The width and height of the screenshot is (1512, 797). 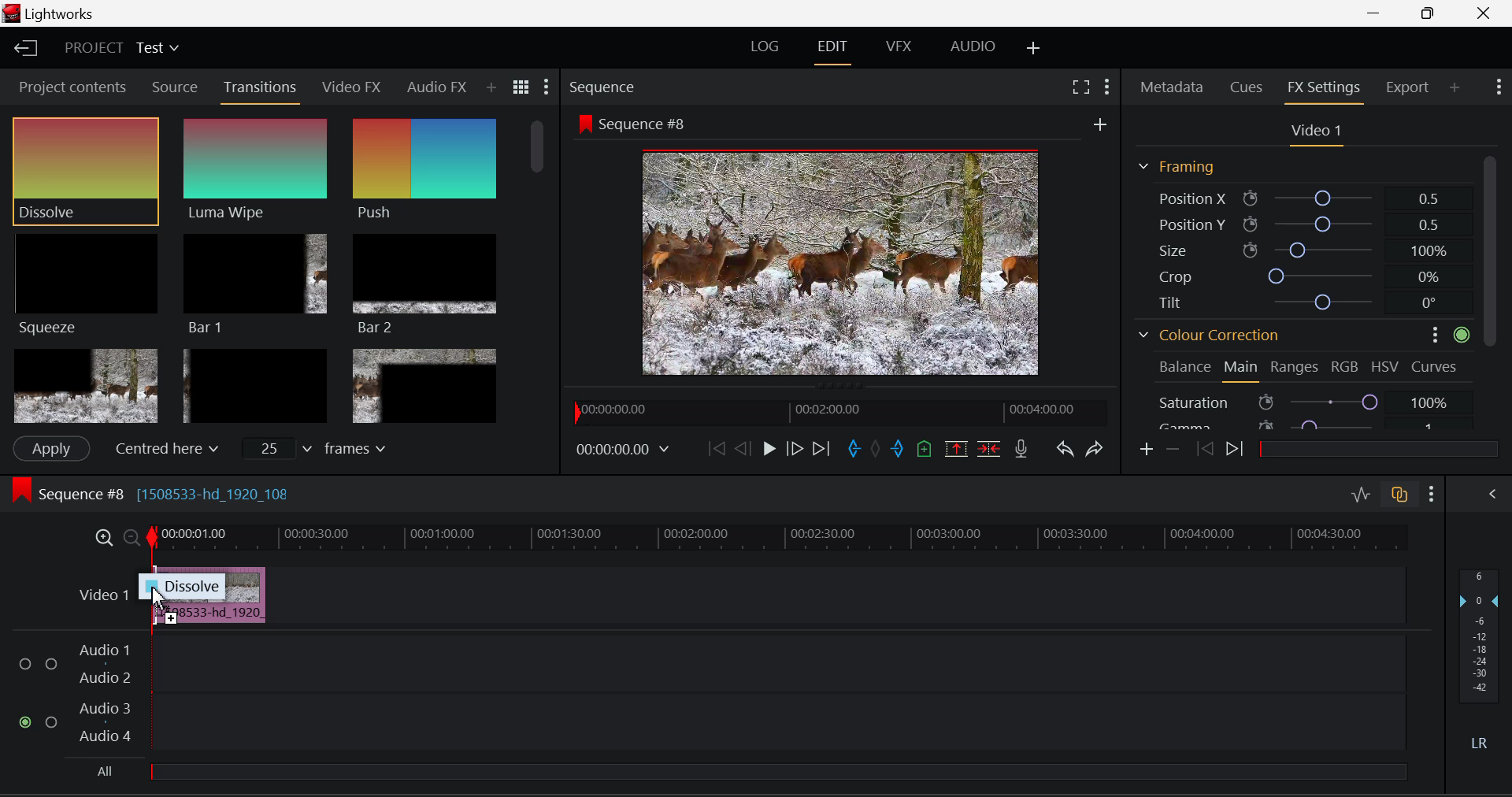 What do you see at coordinates (1296, 250) in the screenshot?
I see `Size` at bounding box center [1296, 250].